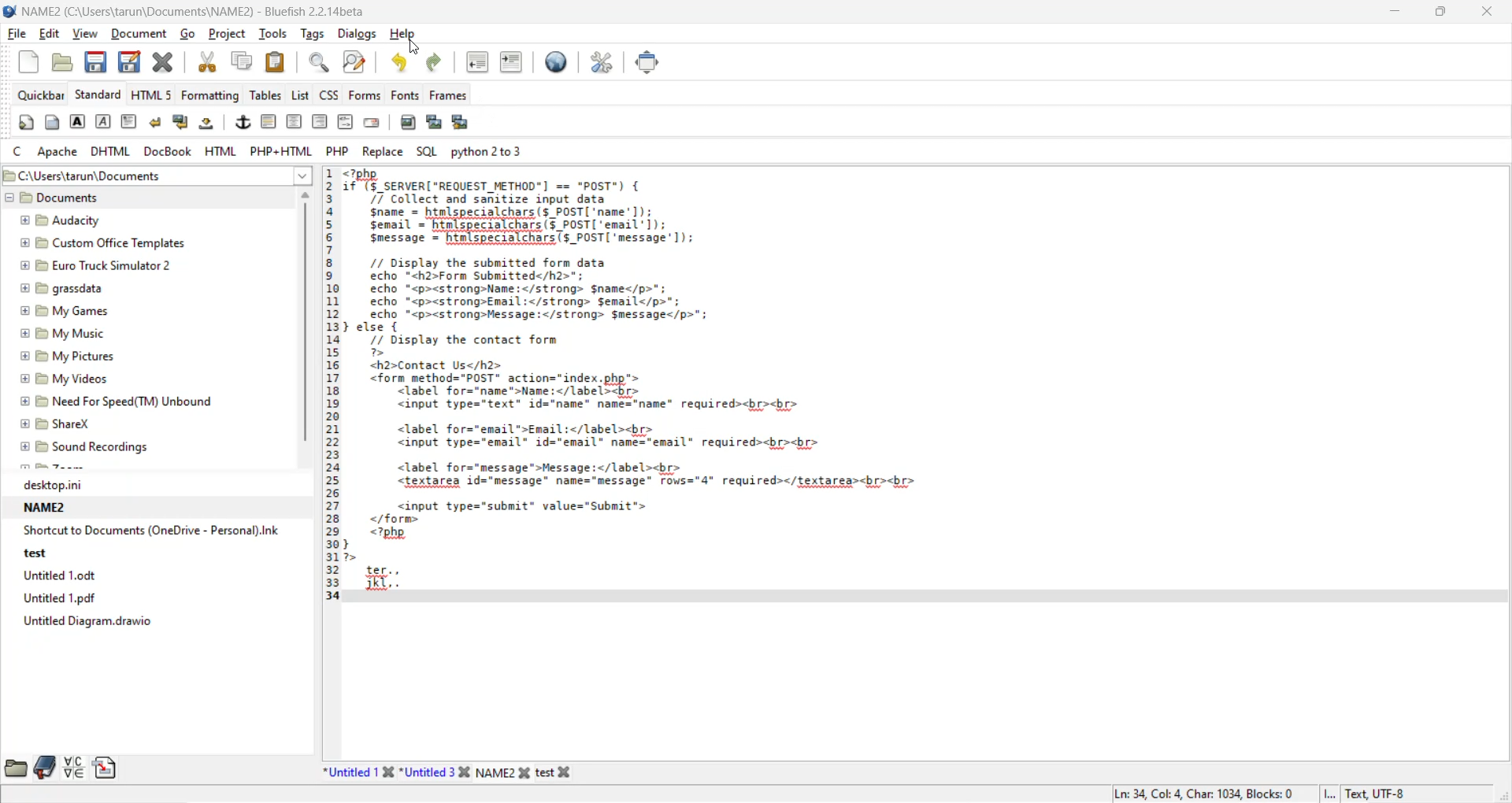 This screenshot has width=1512, height=803. What do you see at coordinates (560, 63) in the screenshot?
I see `preview in browser` at bounding box center [560, 63].